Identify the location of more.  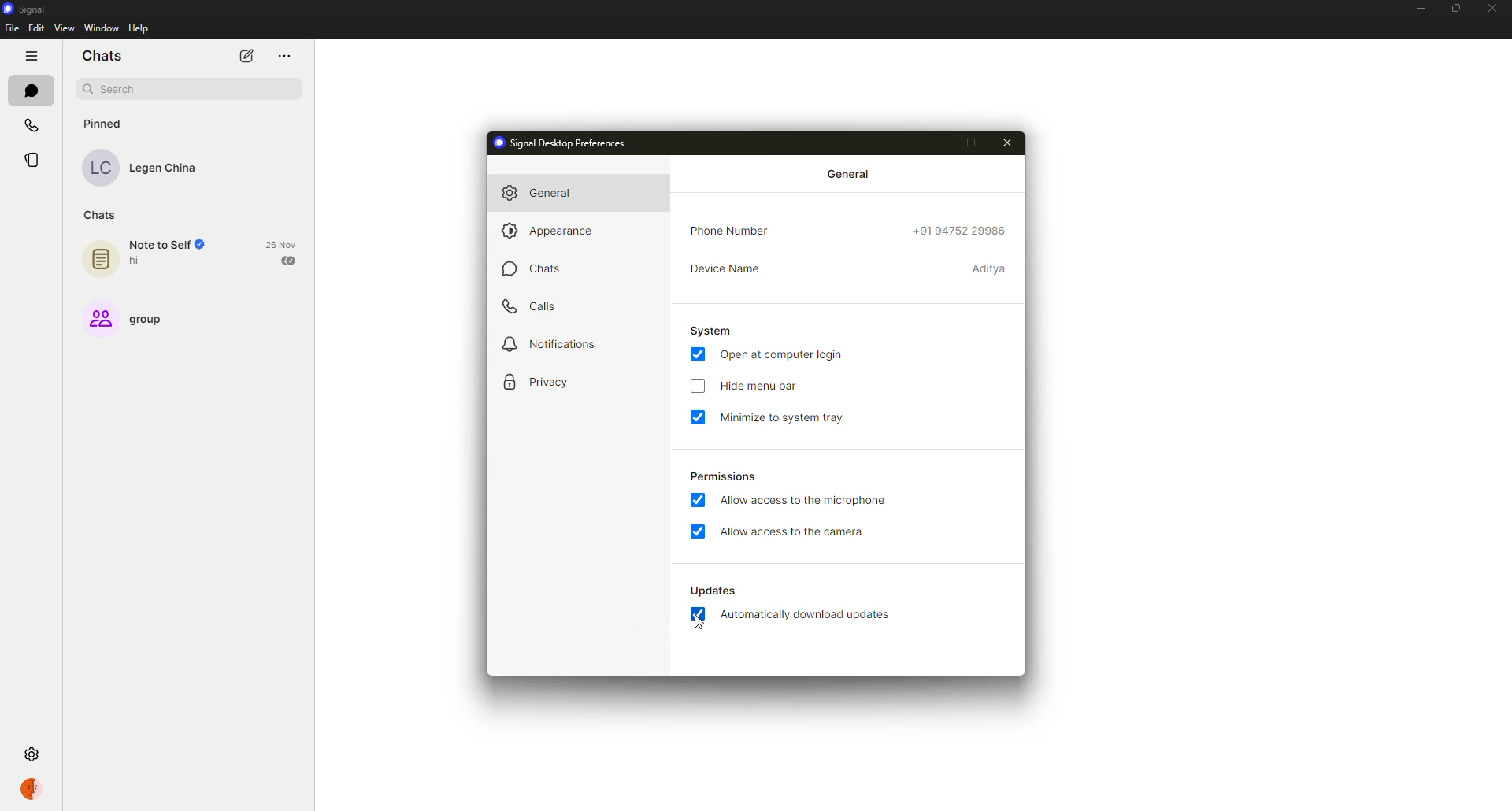
(283, 56).